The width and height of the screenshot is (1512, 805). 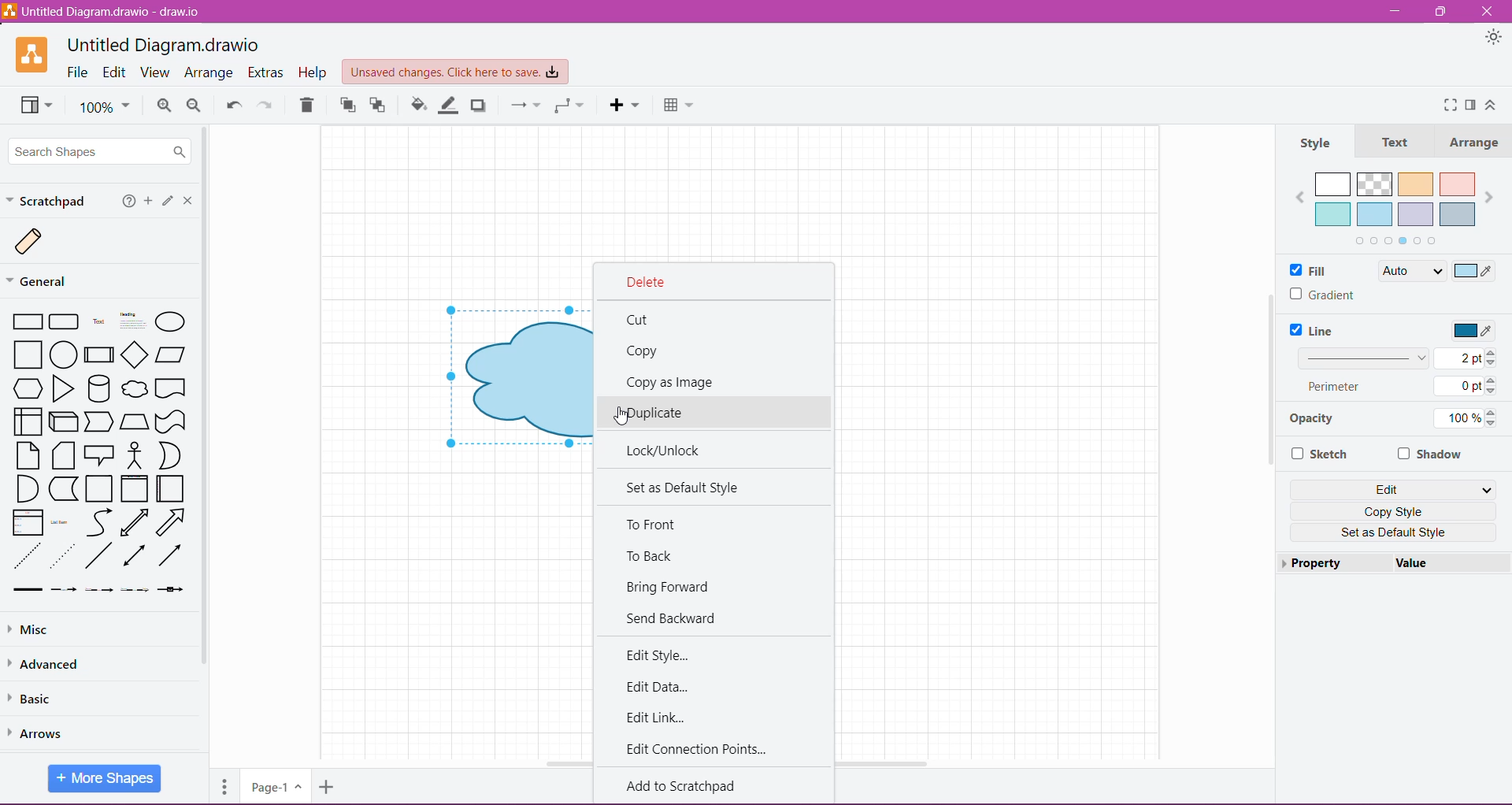 I want to click on Fullscreen, so click(x=1447, y=106).